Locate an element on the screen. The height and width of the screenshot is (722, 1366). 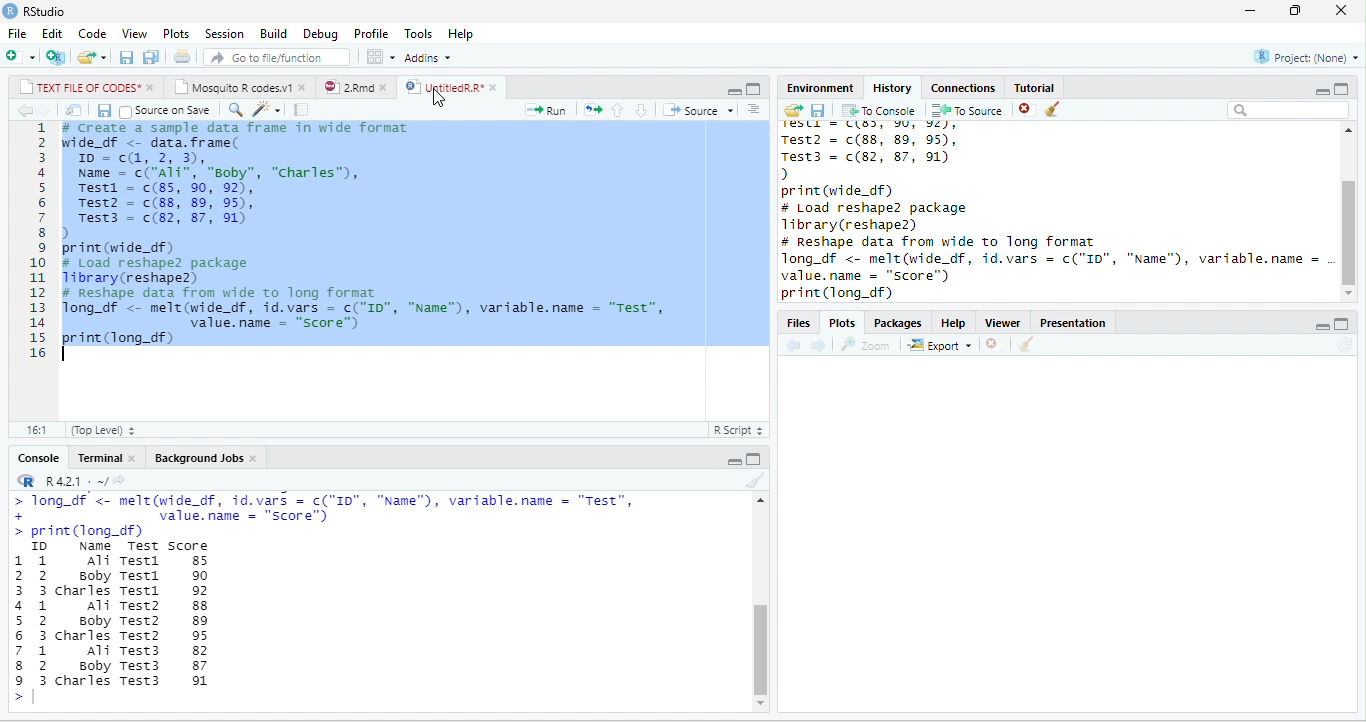
open file is located at coordinates (92, 57).